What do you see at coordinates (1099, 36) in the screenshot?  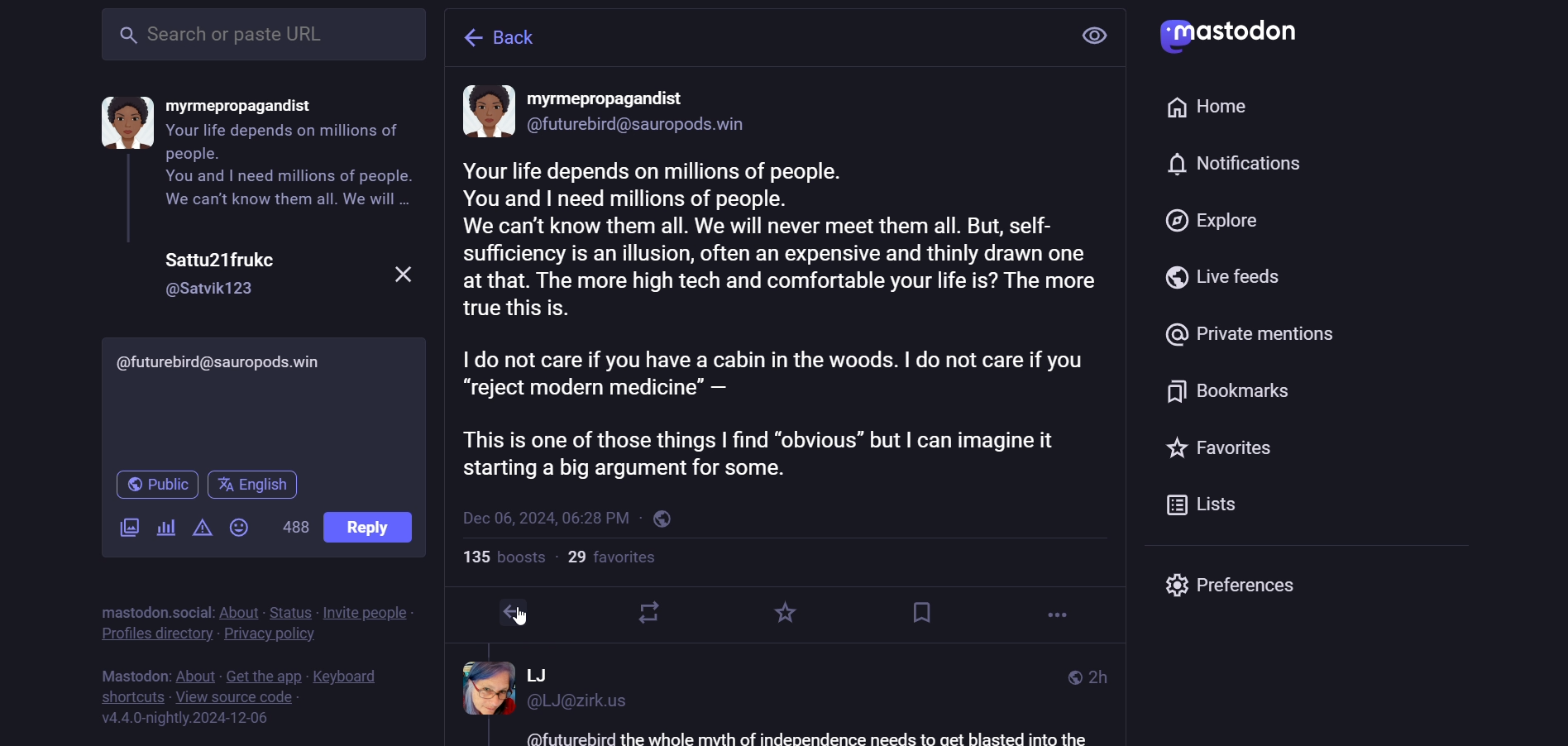 I see `view` at bounding box center [1099, 36].